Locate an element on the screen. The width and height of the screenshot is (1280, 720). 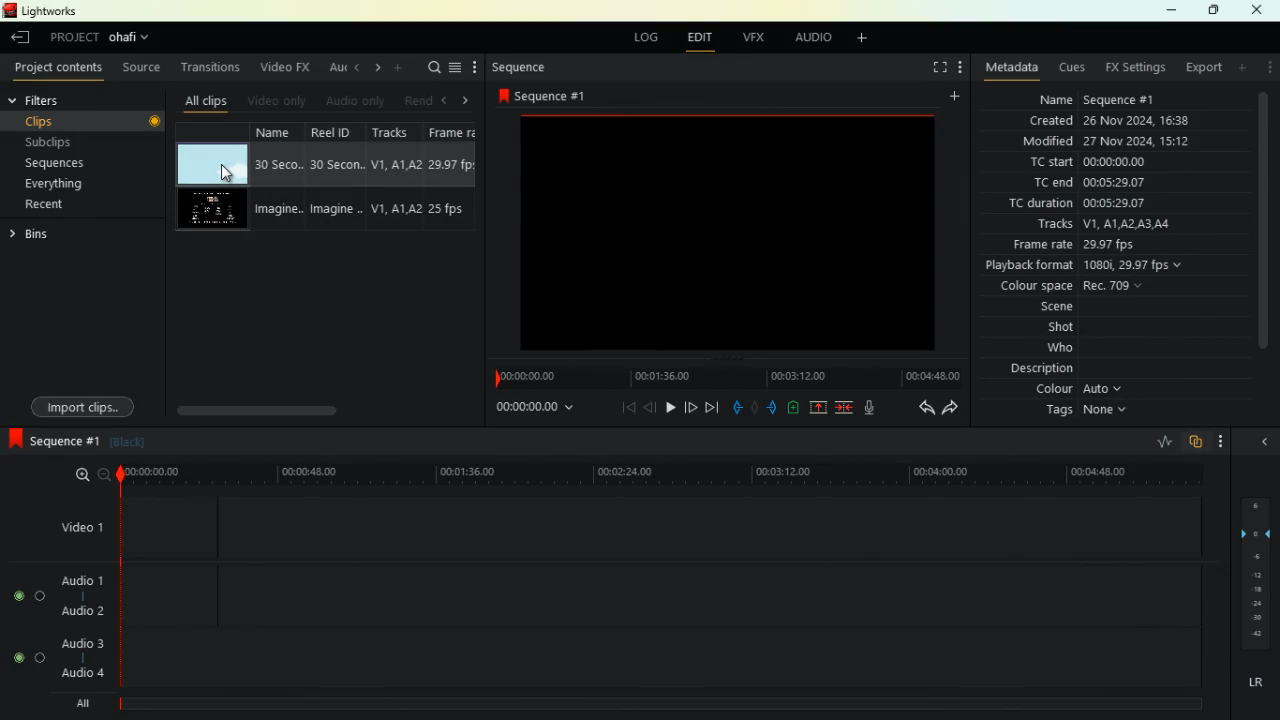
video 1 is located at coordinates (74, 527).